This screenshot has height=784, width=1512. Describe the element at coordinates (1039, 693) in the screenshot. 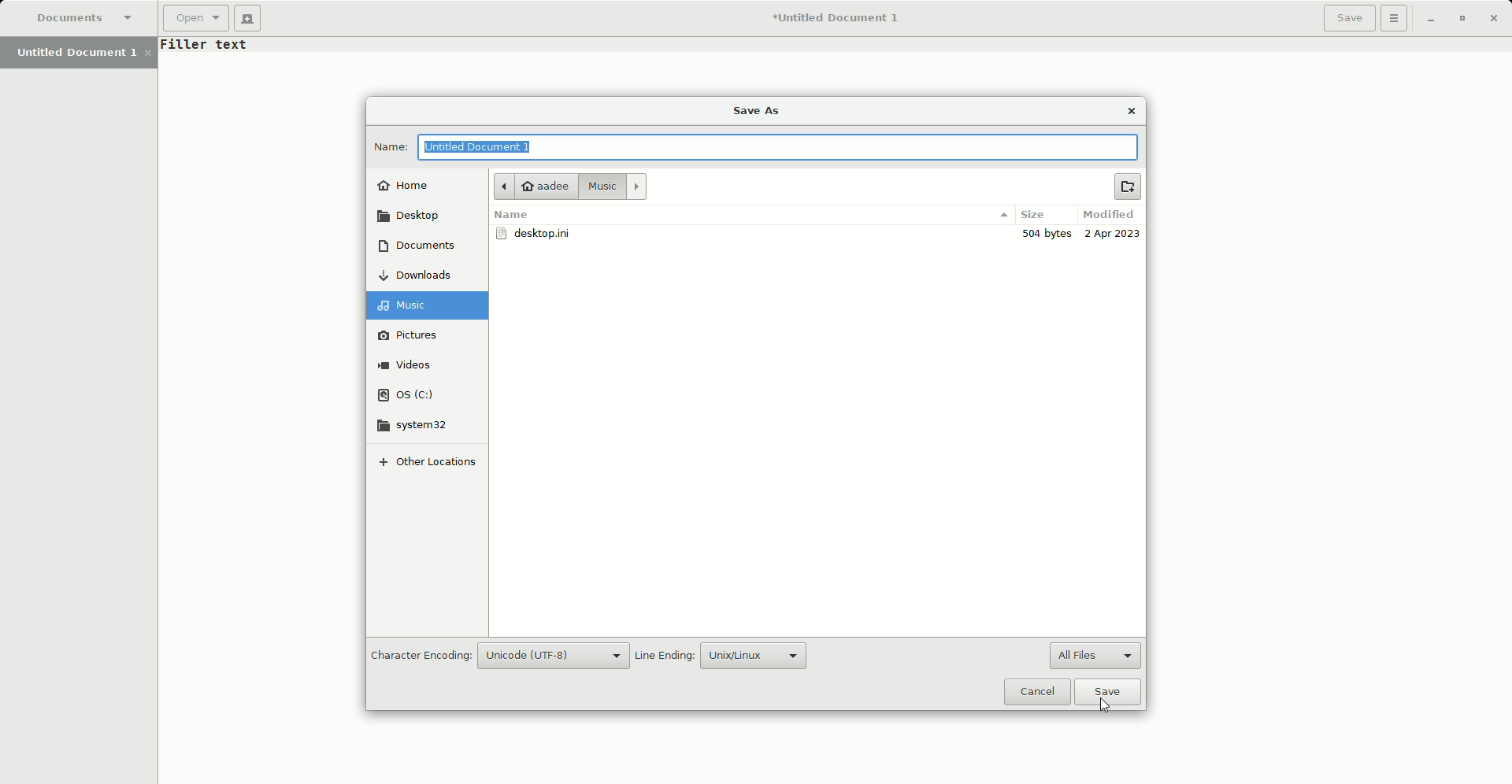

I see `Cancel` at that location.